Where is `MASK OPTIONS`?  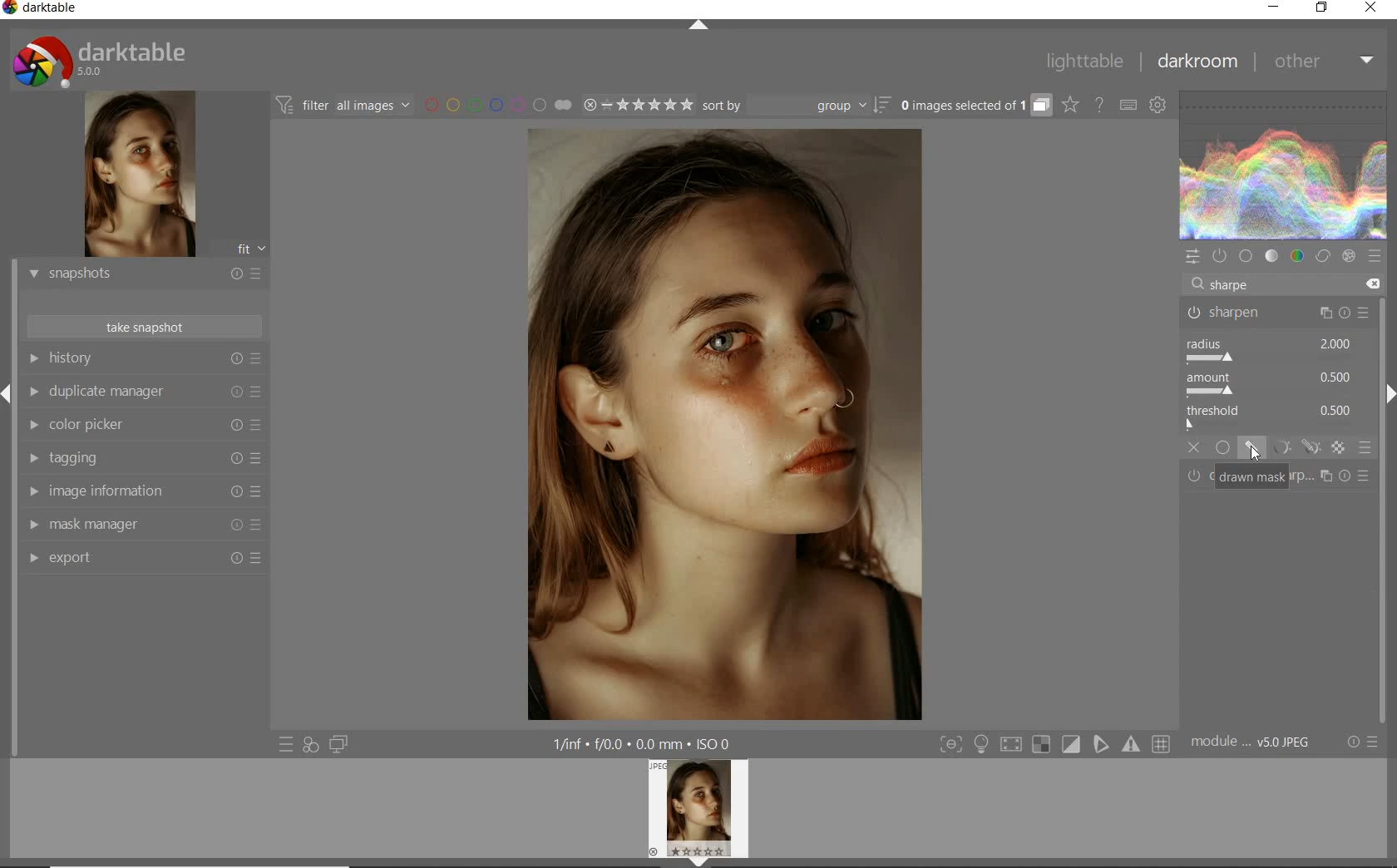 MASK OPTIONS is located at coordinates (1292, 448).